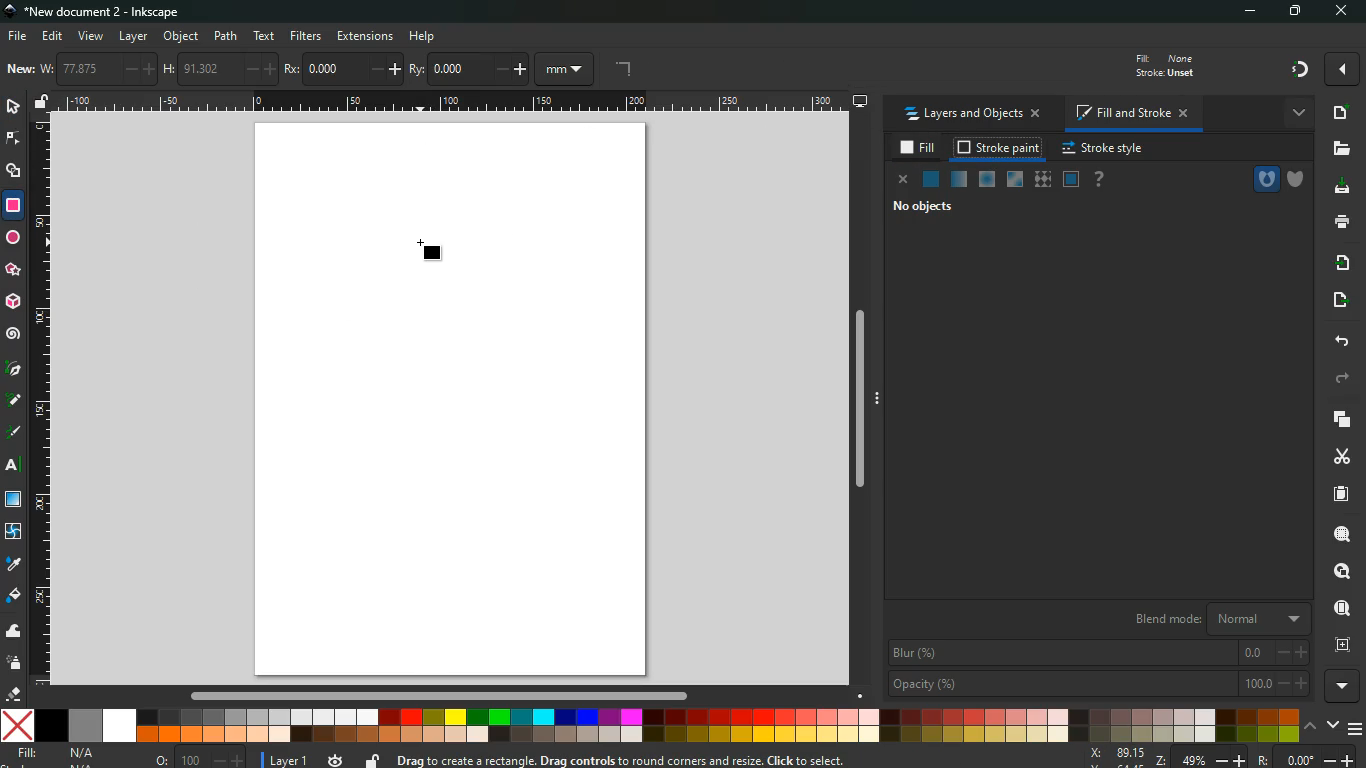 The height and width of the screenshot is (768, 1366). Describe the element at coordinates (1340, 458) in the screenshot. I see `cut` at that location.